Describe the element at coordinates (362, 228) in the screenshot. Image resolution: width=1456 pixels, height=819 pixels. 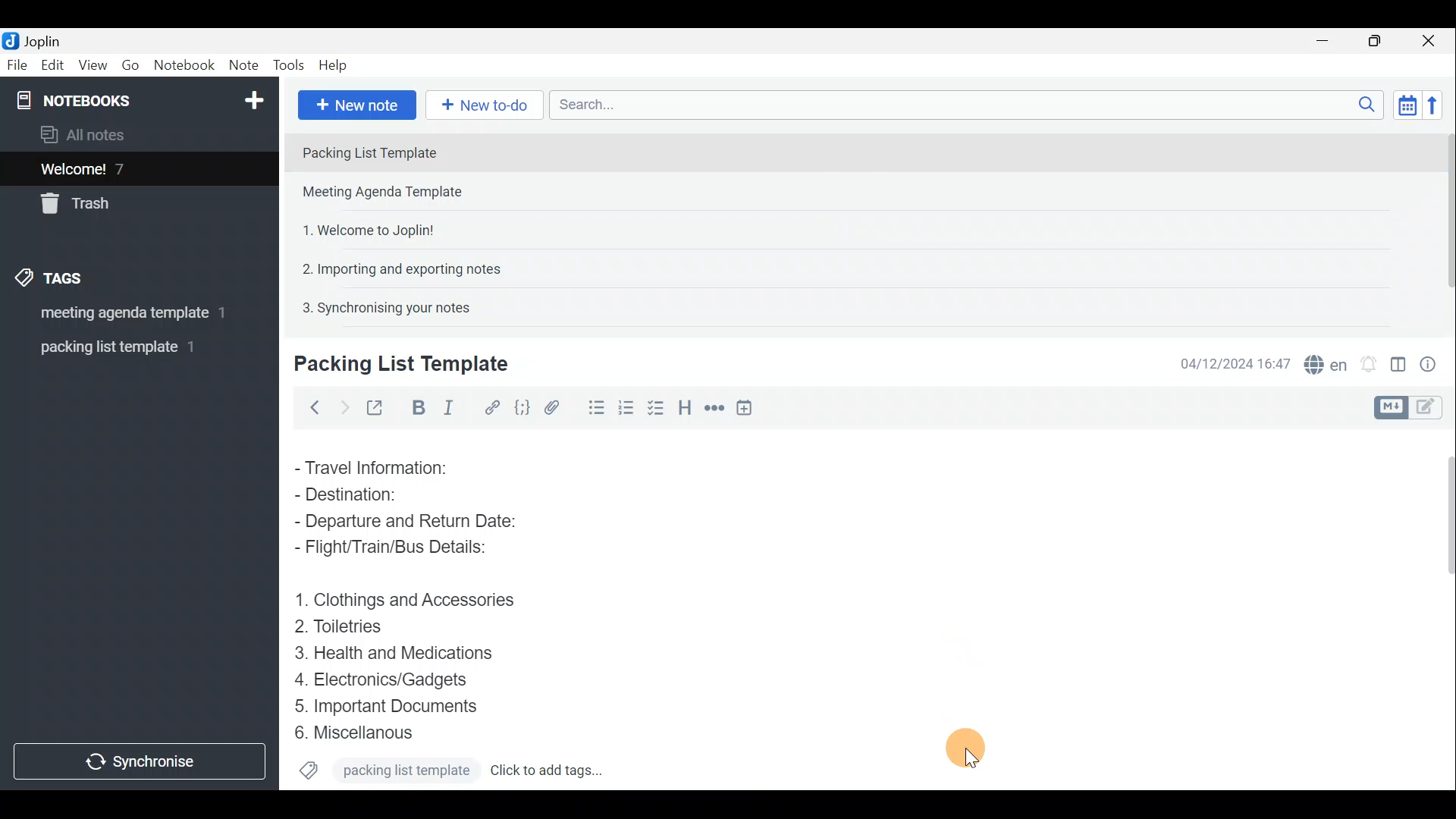
I see `Note 3` at that location.